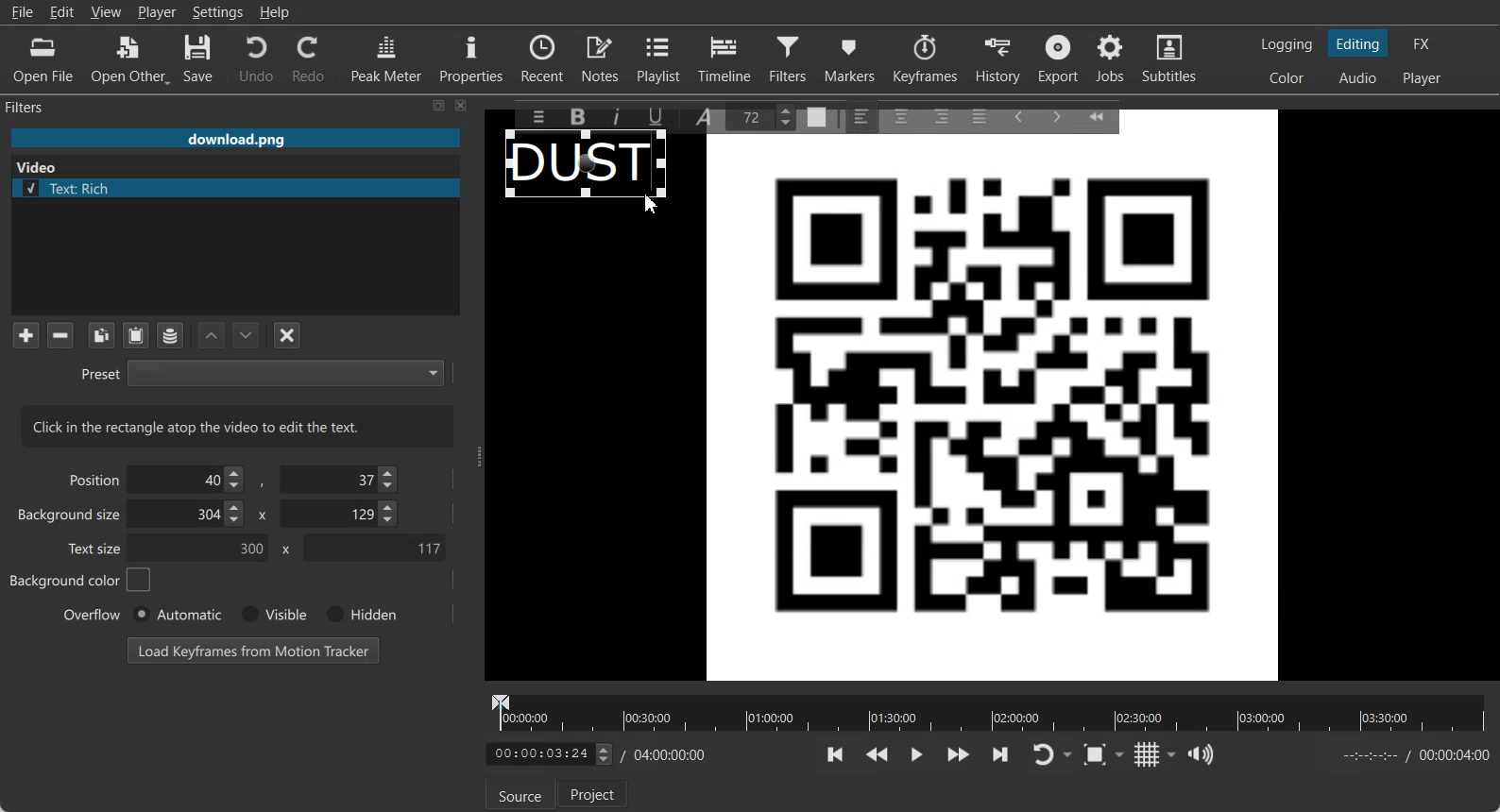 The height and width of the screenshot is (812, 1500). What do you see at coordinates (836, 753) in the screenshot?
I see `Skip to the previous point` at bounding box center [836, 753].